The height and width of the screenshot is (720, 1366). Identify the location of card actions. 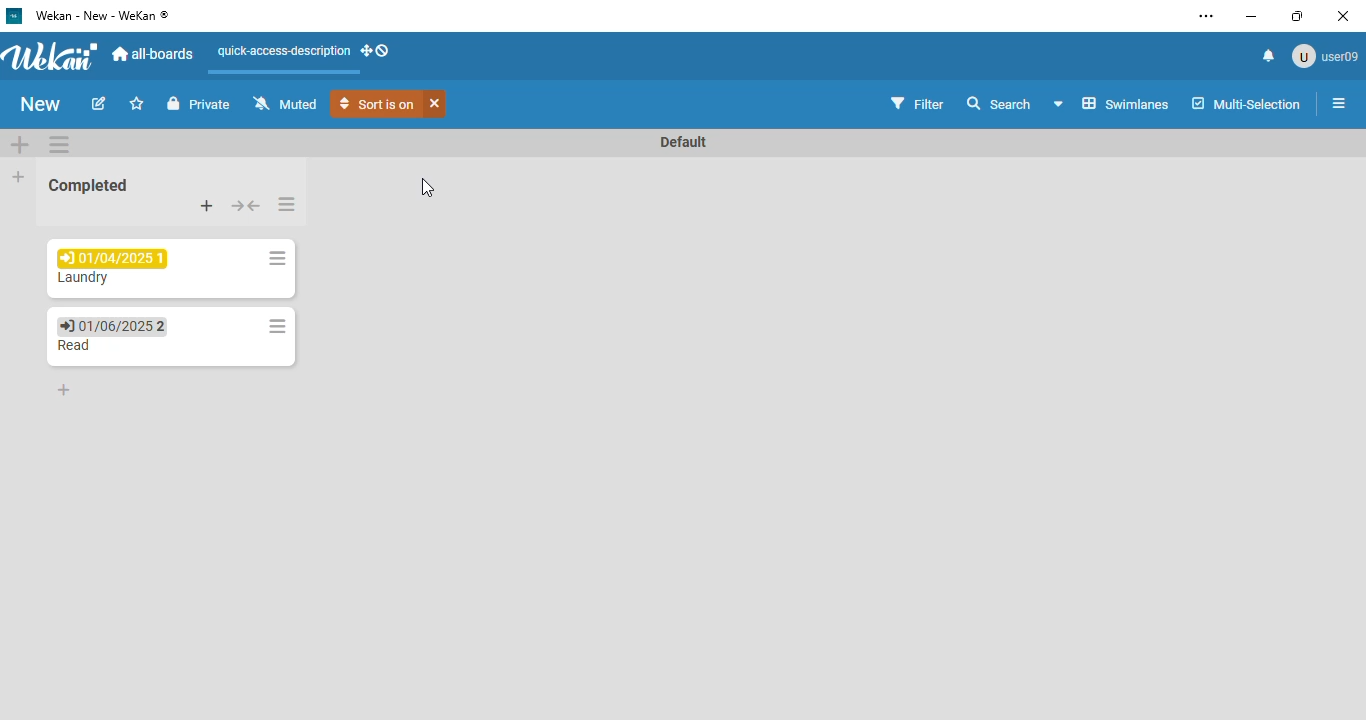
(277, 326).